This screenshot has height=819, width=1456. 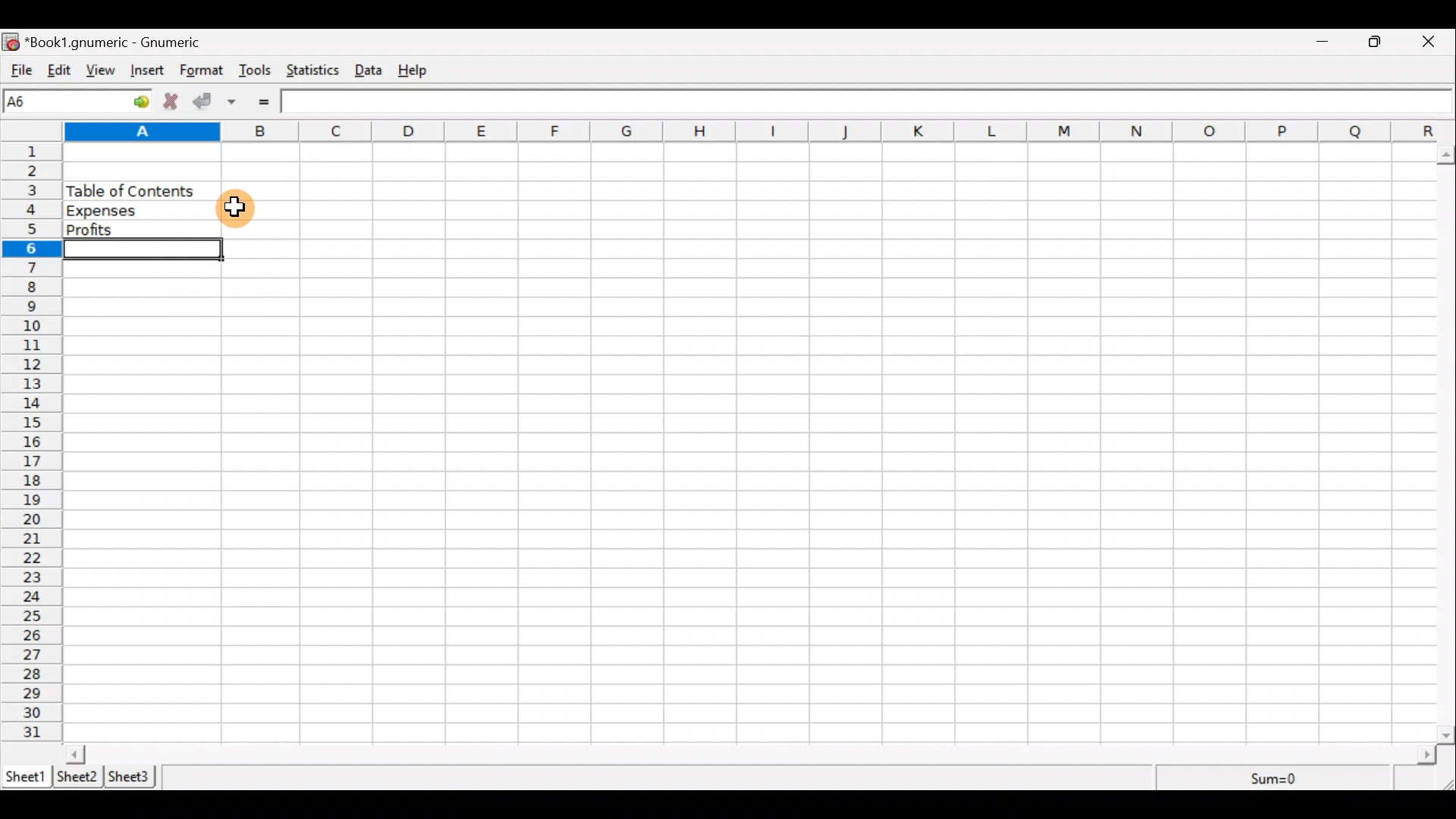 I want to click on Format, so click(x=202, y=71).